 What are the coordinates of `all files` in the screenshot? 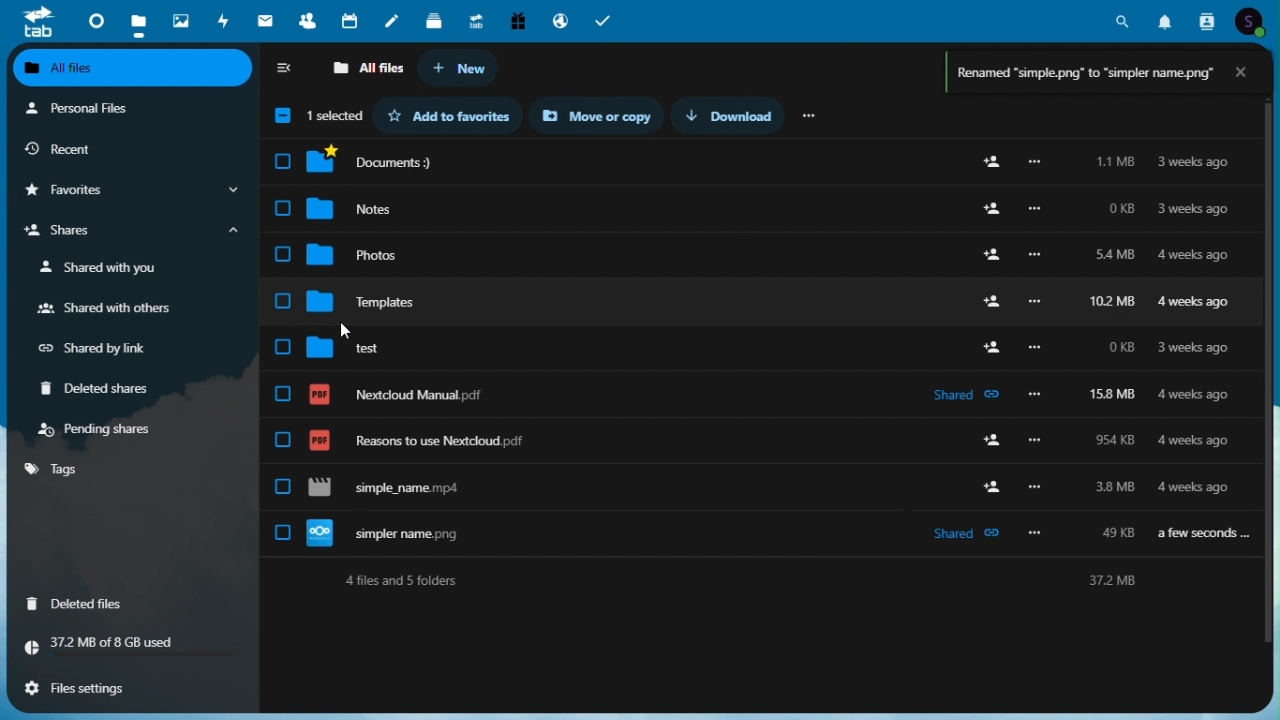 It's located at (134, 70).